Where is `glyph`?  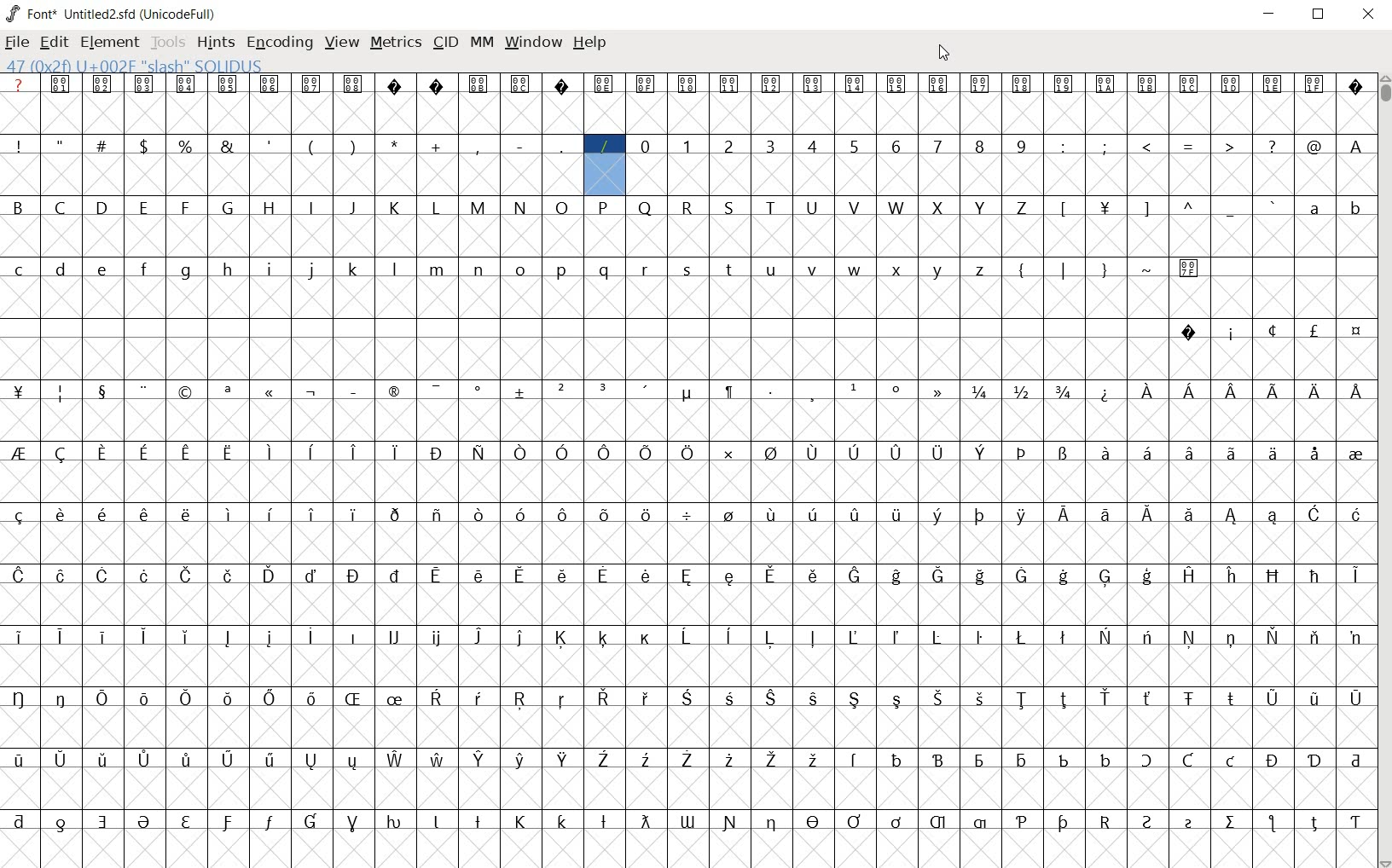 glyph is located at coordinates (1147, 698).